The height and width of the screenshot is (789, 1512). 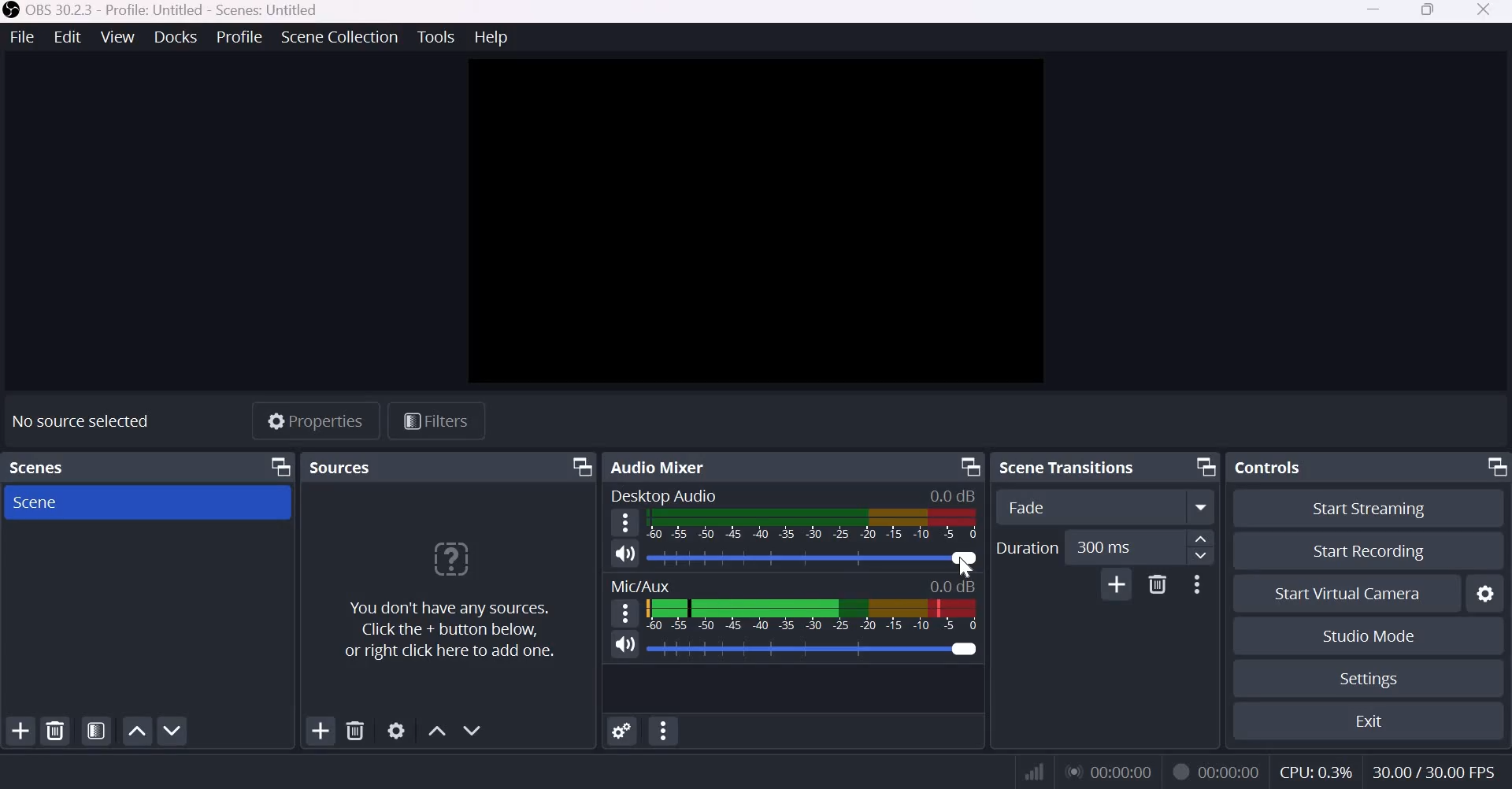 What do you see at coordinates (492, 37) in the screenshot?
I see `Help` at bounding box center [492, 37].